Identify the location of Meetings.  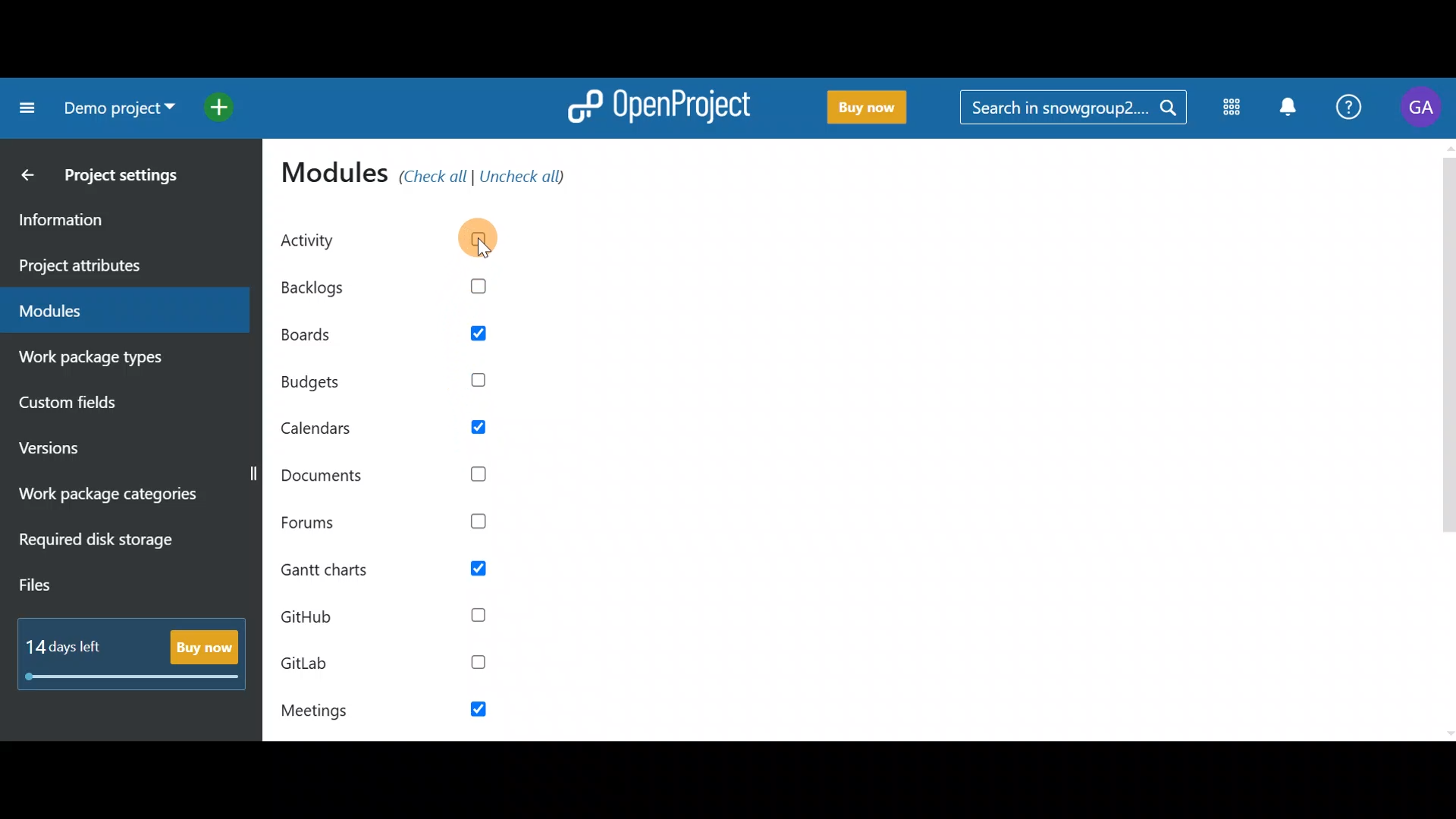
(376, 713).